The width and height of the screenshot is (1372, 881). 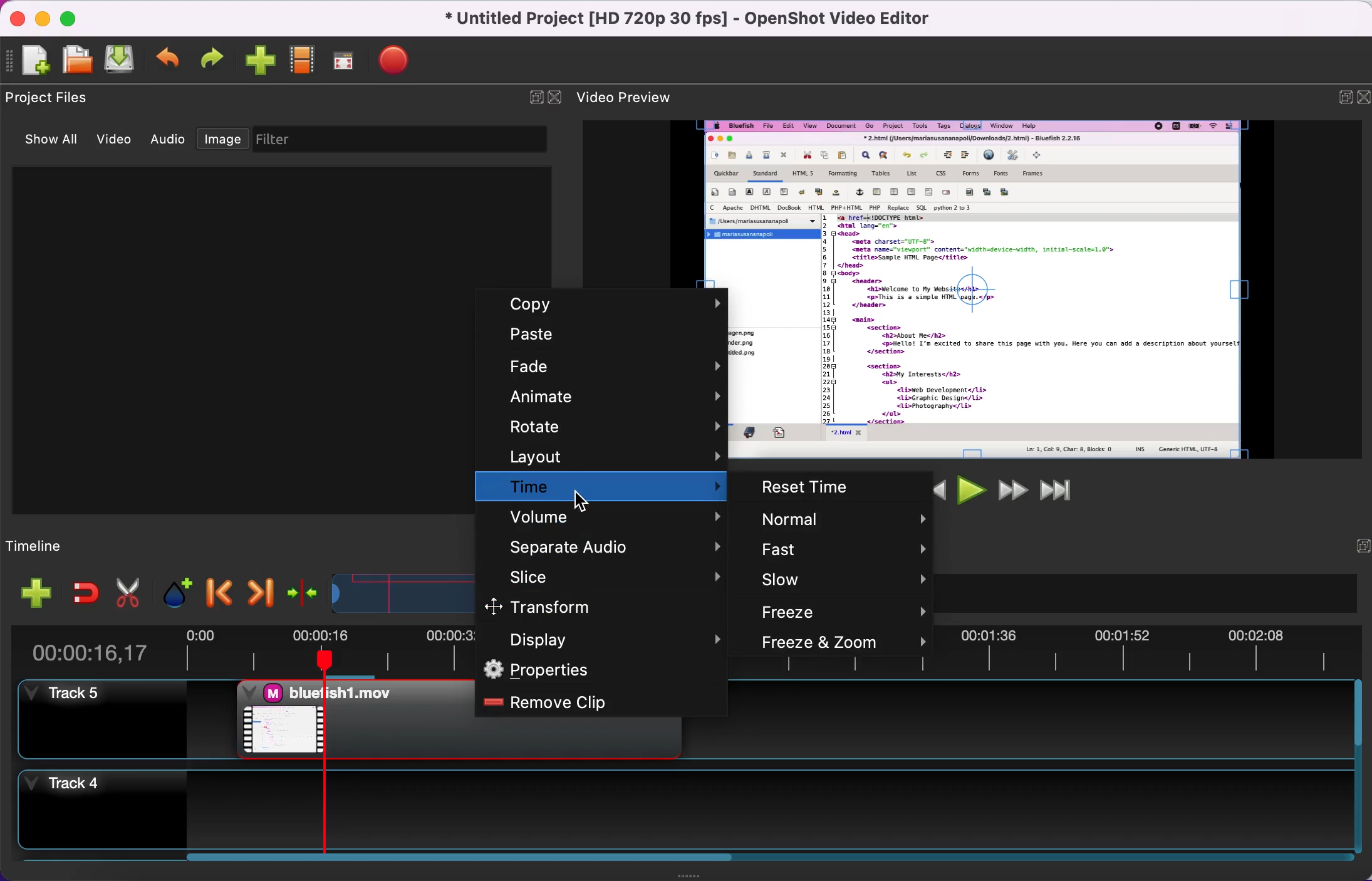 What do you see at coordinates (609, 306) in the screenshot?
I see `copy` at bounding box center [609, 306].